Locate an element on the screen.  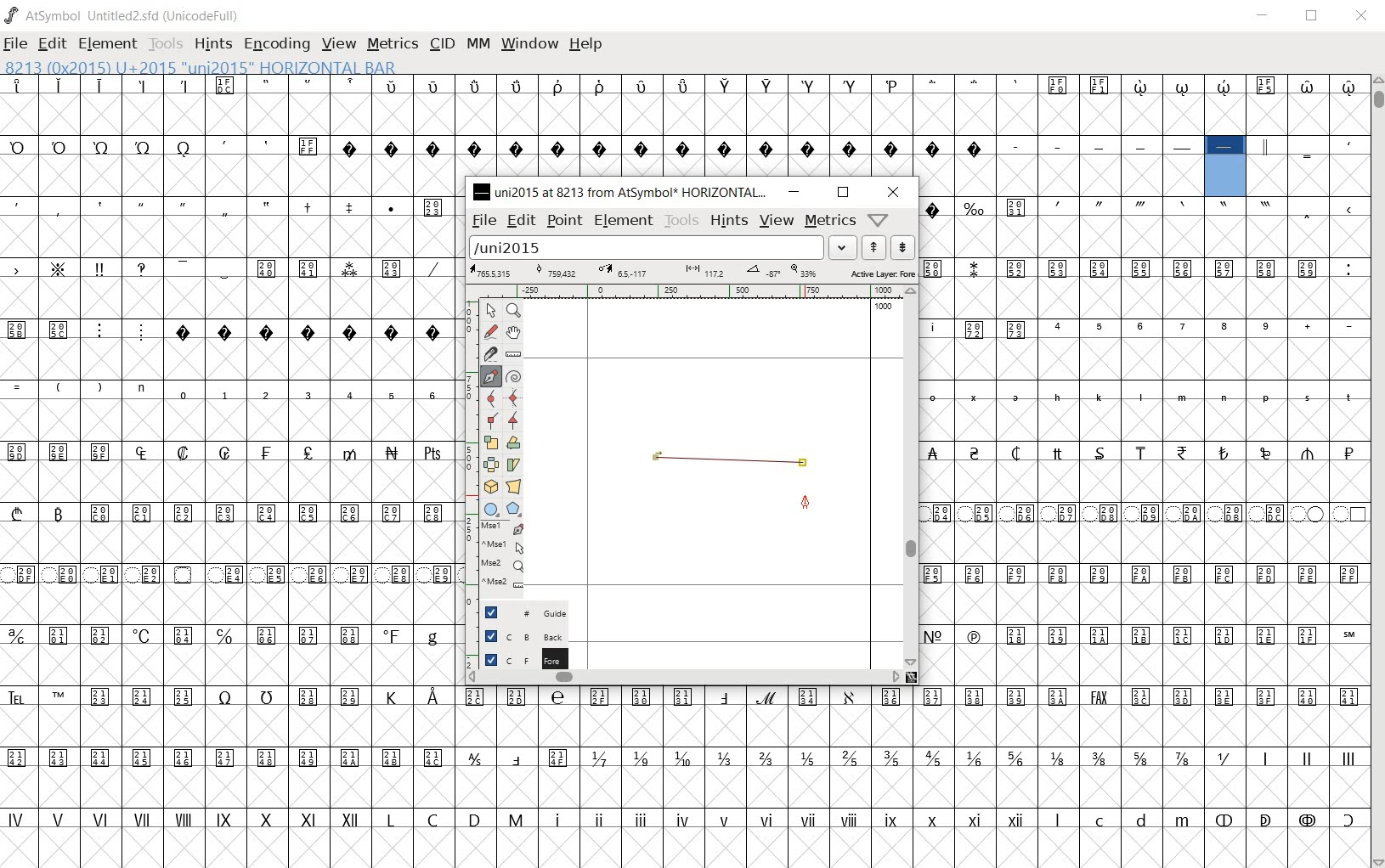
show the next word on the list is located at coordinates (873, 247).